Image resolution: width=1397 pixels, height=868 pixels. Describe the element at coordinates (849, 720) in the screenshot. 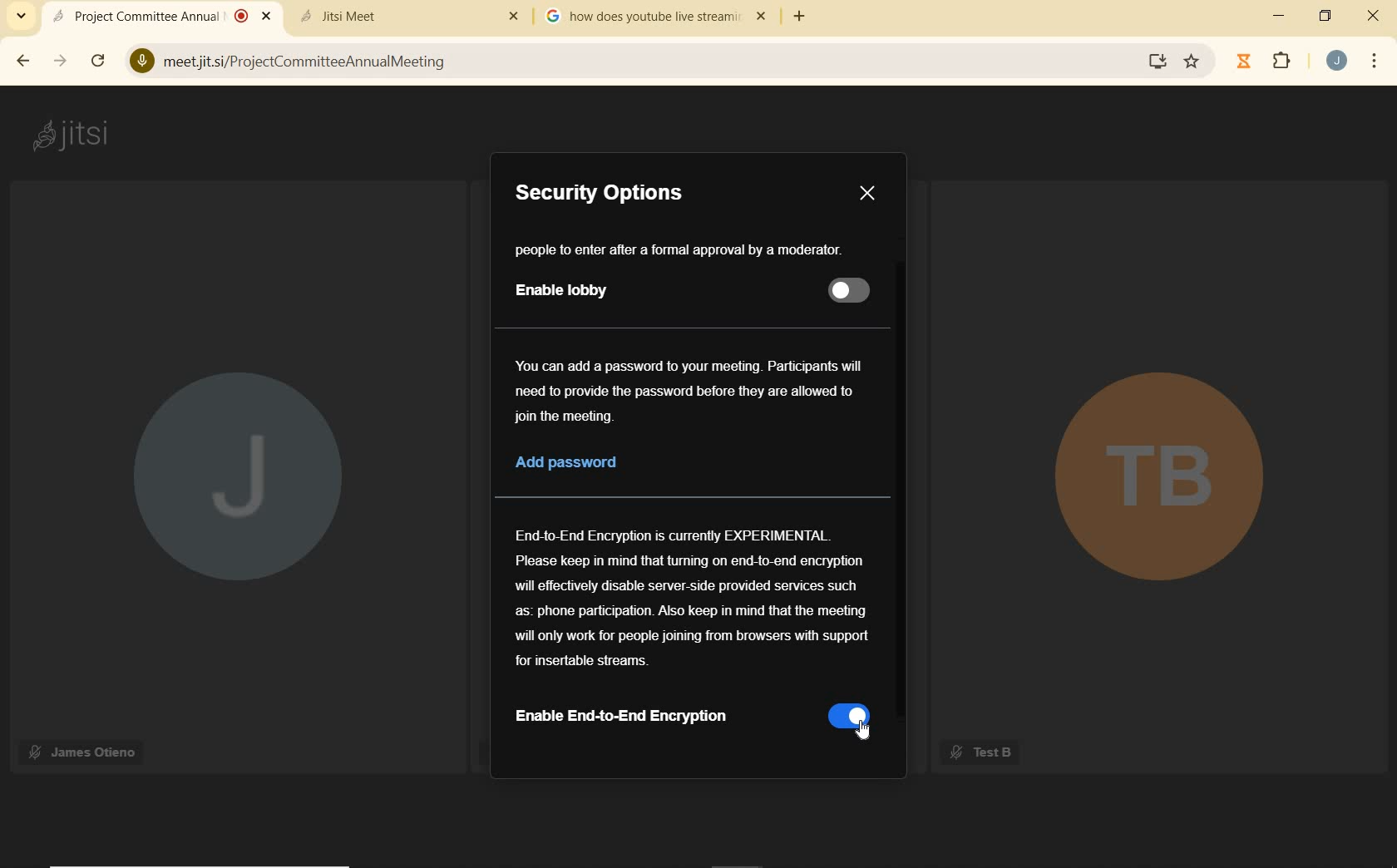

I see ` slider` at that location.